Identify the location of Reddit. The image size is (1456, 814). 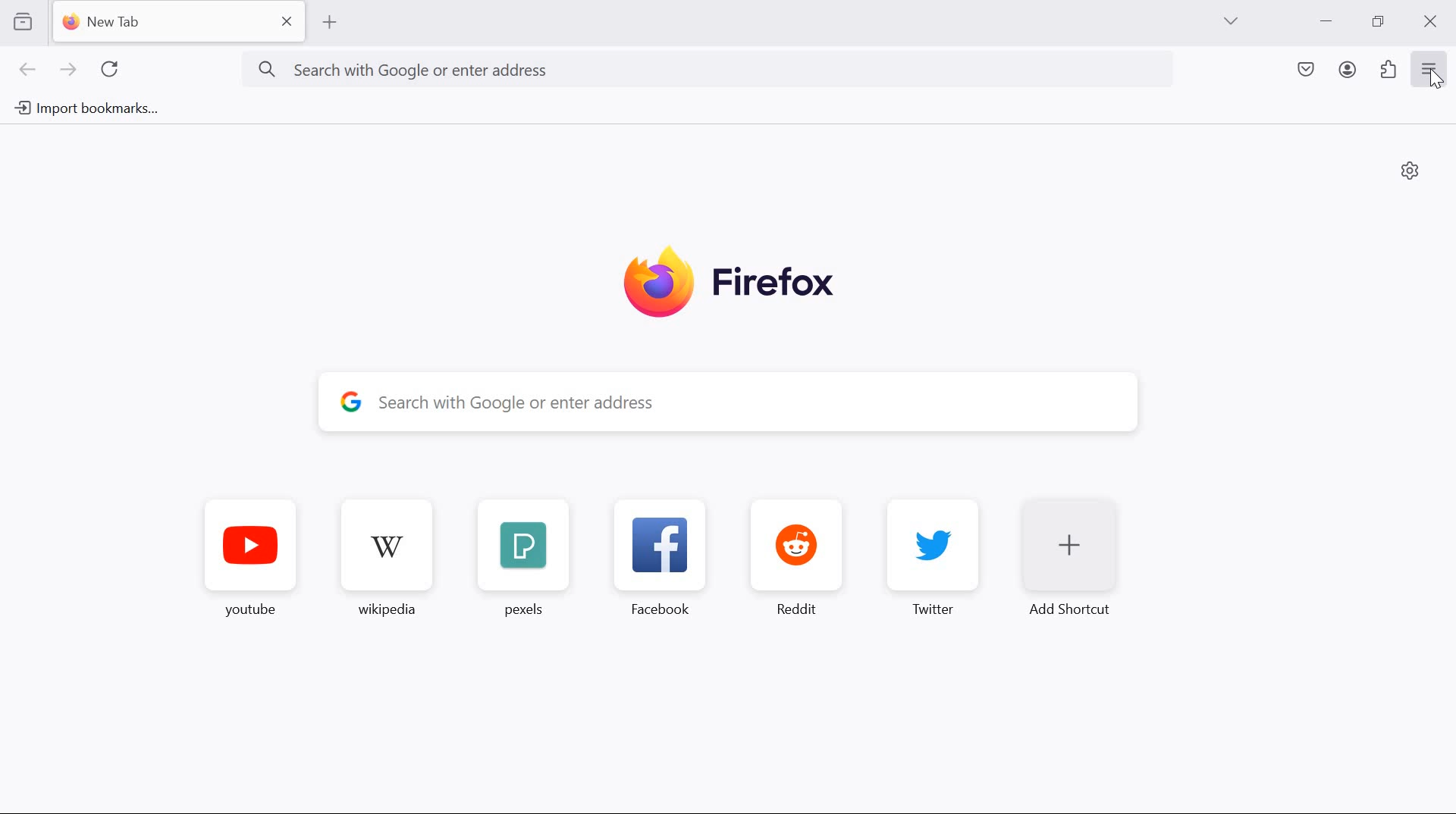
(795, 550).